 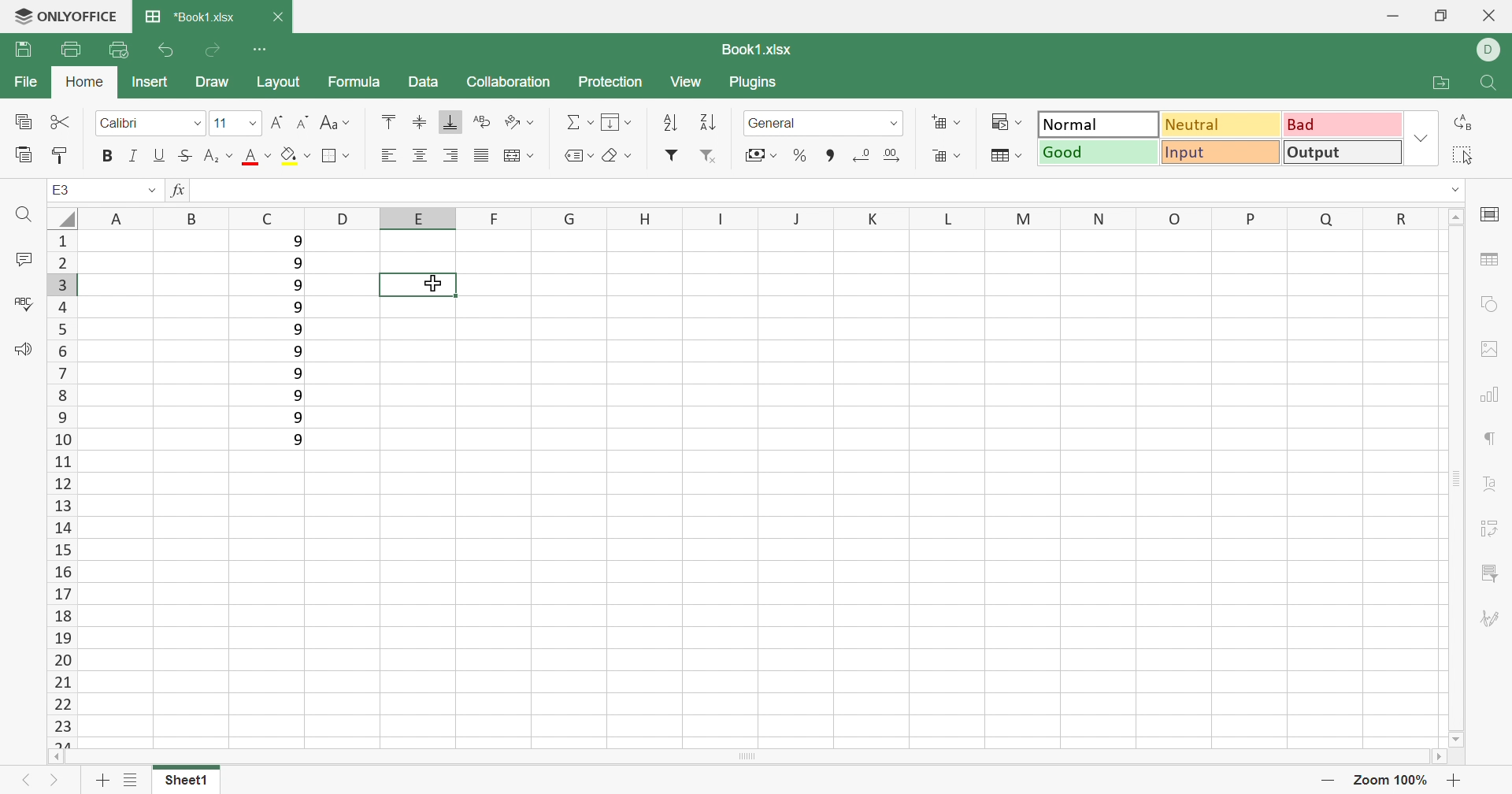 What do you see at coordinates (1340, 125) in the screenshot?
I see `Bad` at bounding box center [1340, 125].